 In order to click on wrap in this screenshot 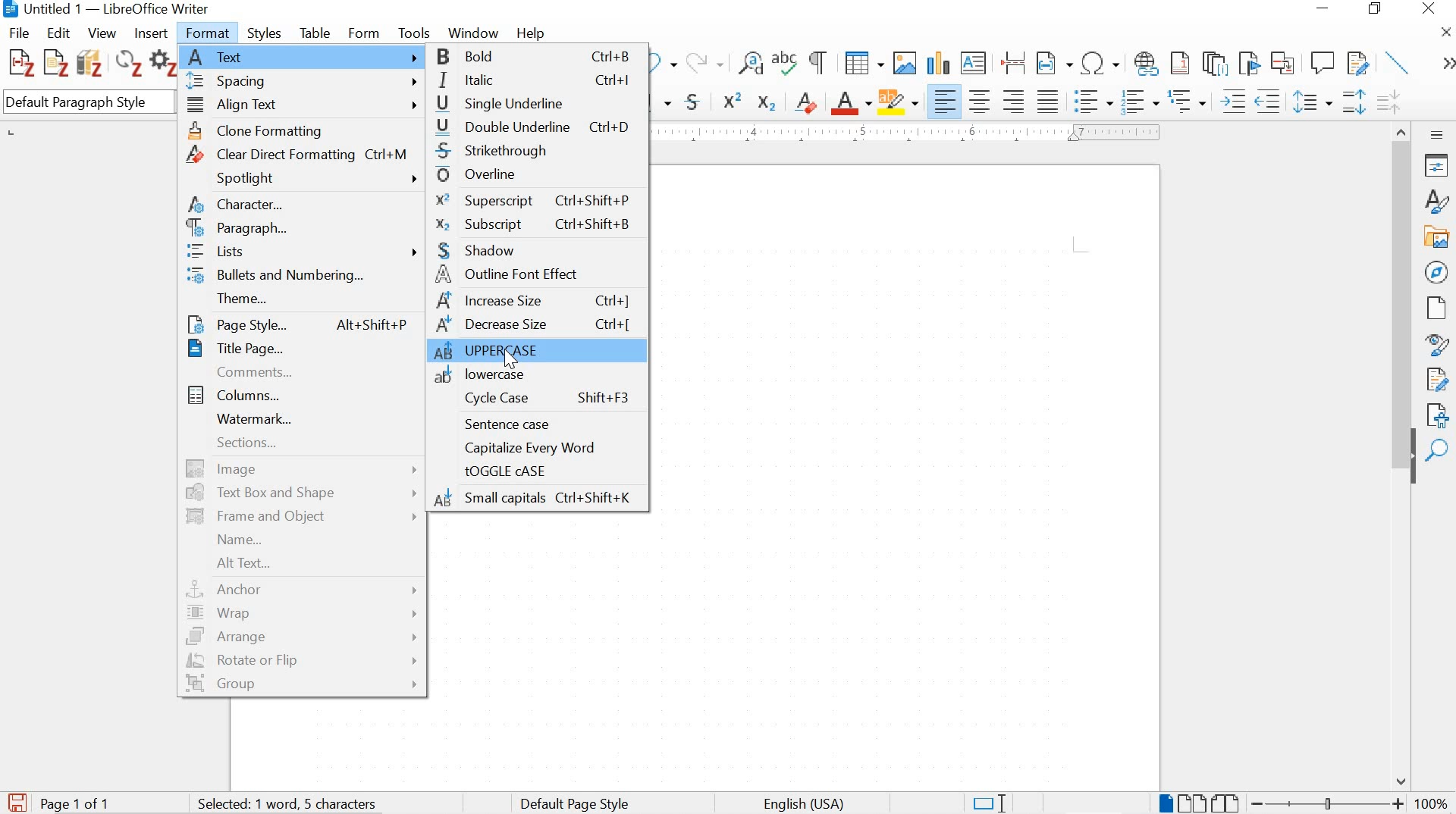, I will do `click(306, 614)`.